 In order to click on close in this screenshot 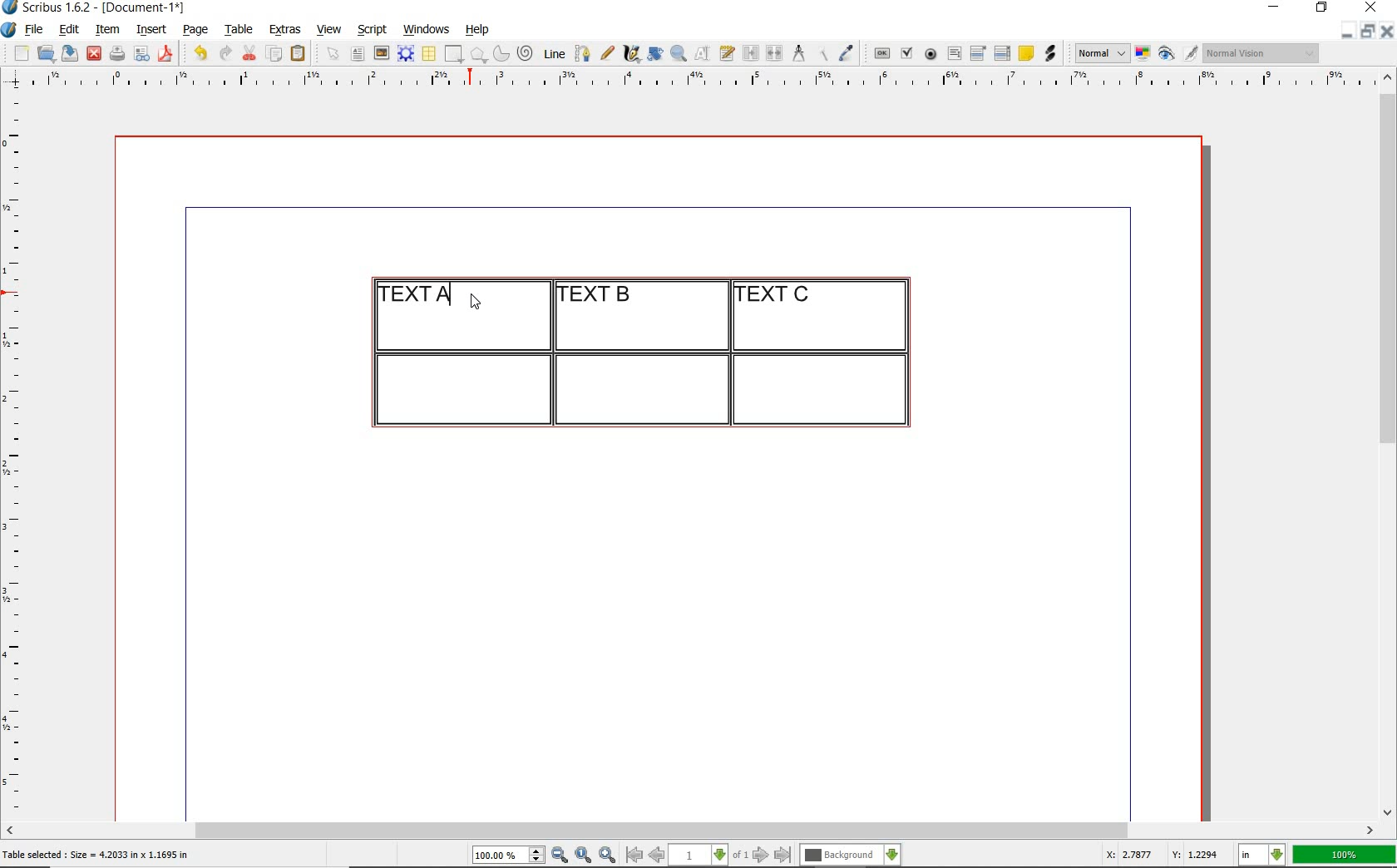, I will do `click(1374, 7)`.